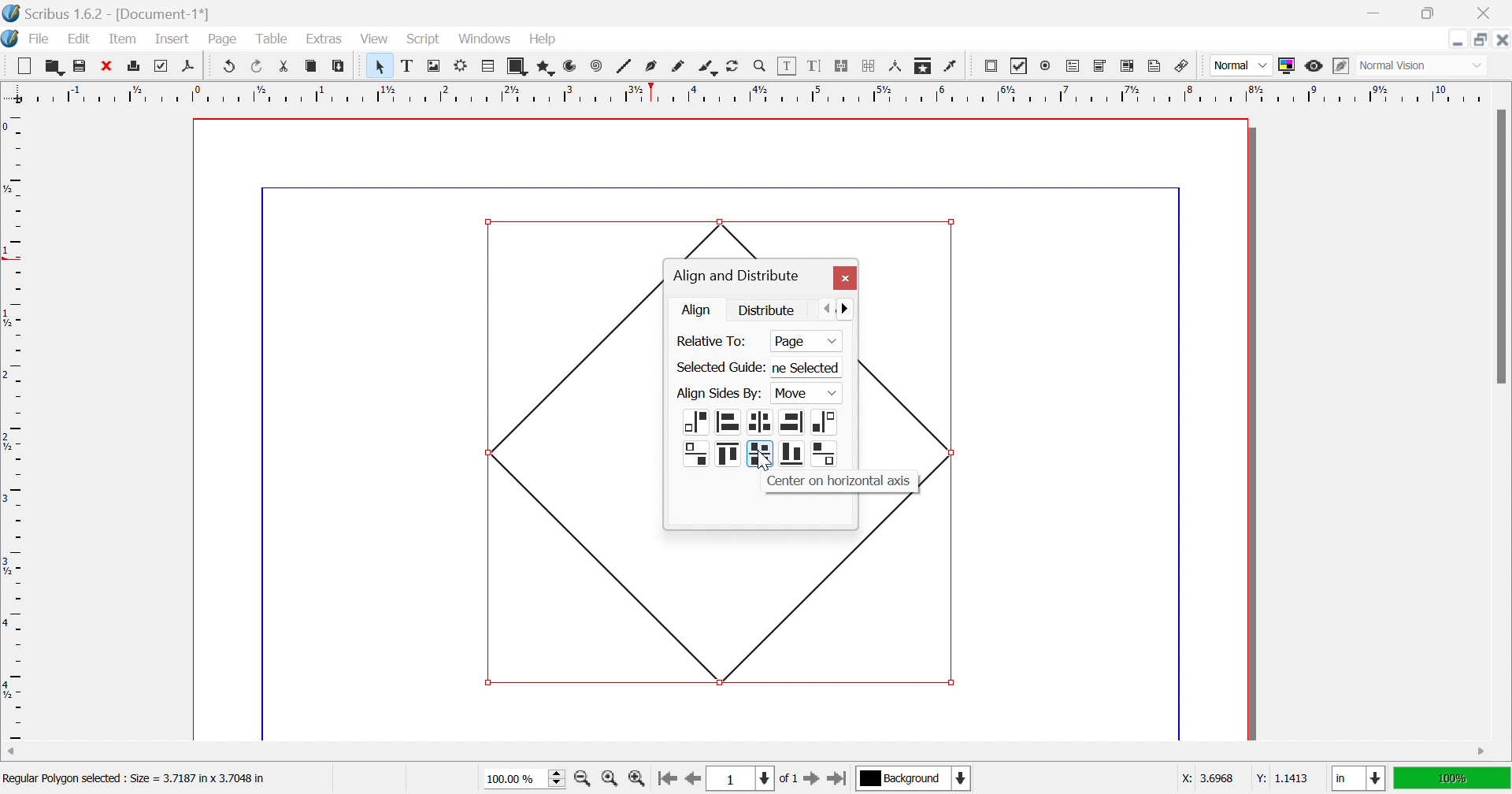  What do you see at coordinates (1450, 777) in the screenshot?
I see `100%` at bounding box center [1450, 777].